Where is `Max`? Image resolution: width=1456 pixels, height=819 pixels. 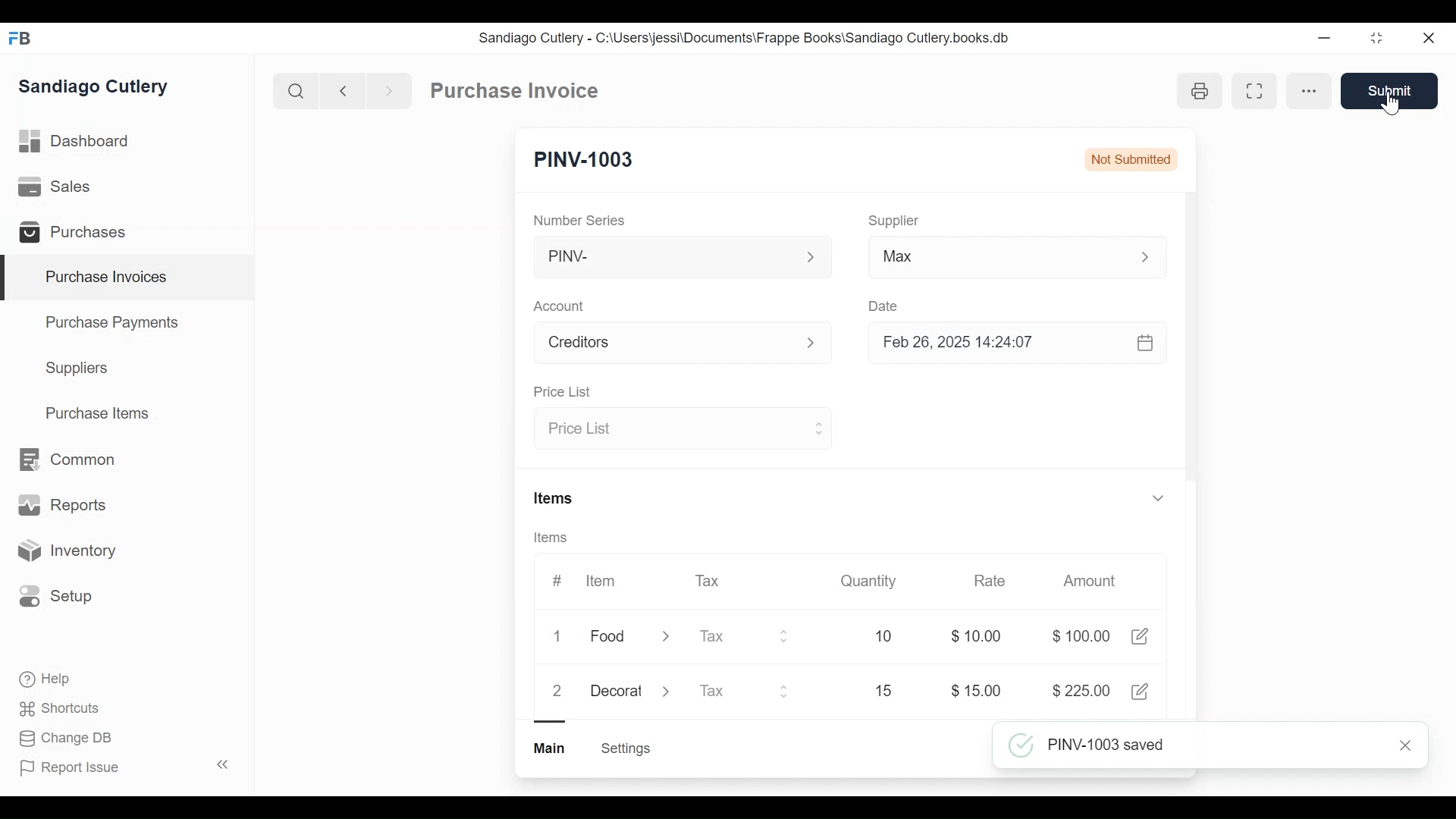 Max is located at coordinates (987, 259).